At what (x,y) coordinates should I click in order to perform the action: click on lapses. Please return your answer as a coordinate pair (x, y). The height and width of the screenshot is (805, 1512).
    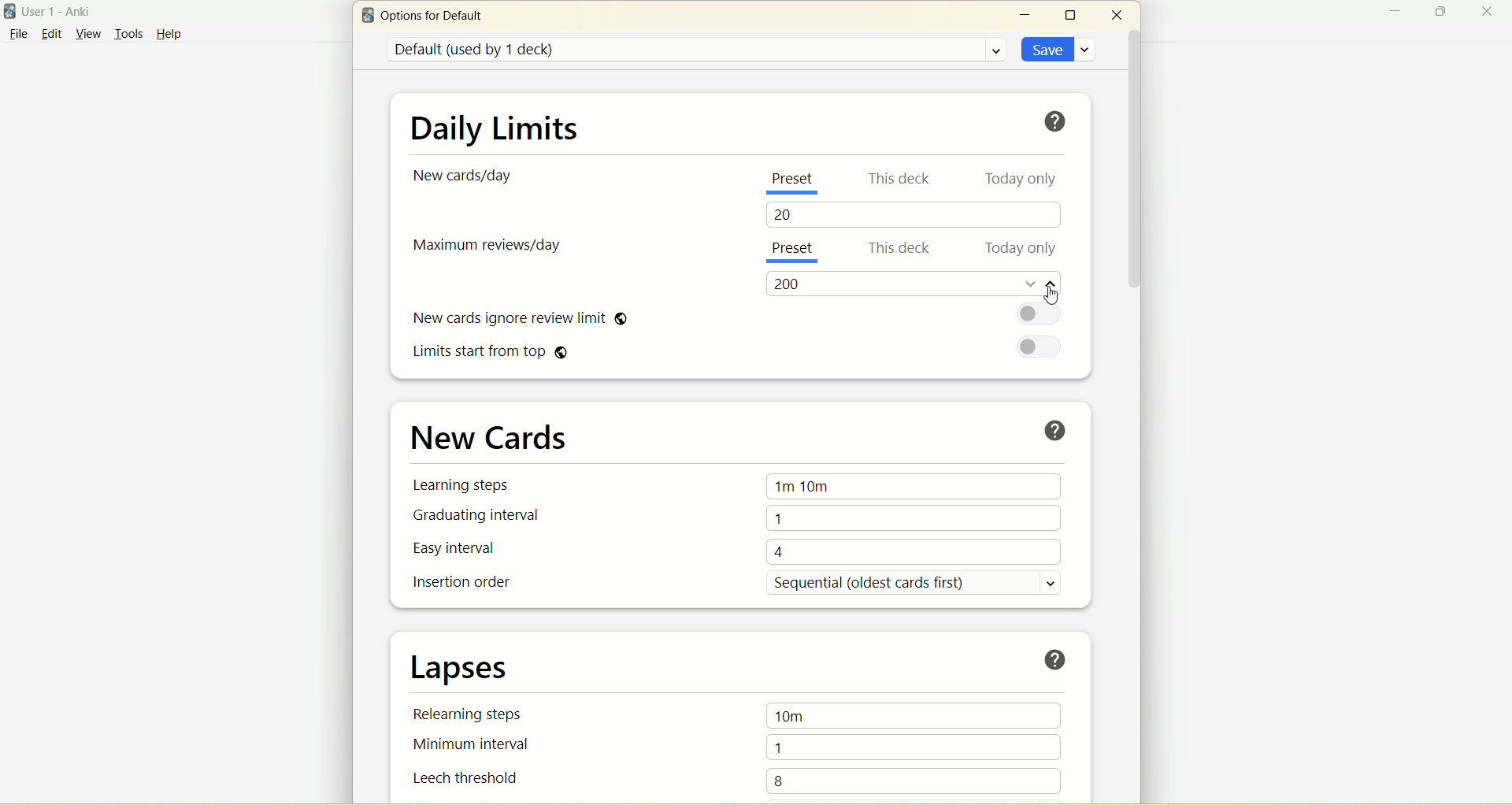
    Looking at the image, I should click on (465, 669).